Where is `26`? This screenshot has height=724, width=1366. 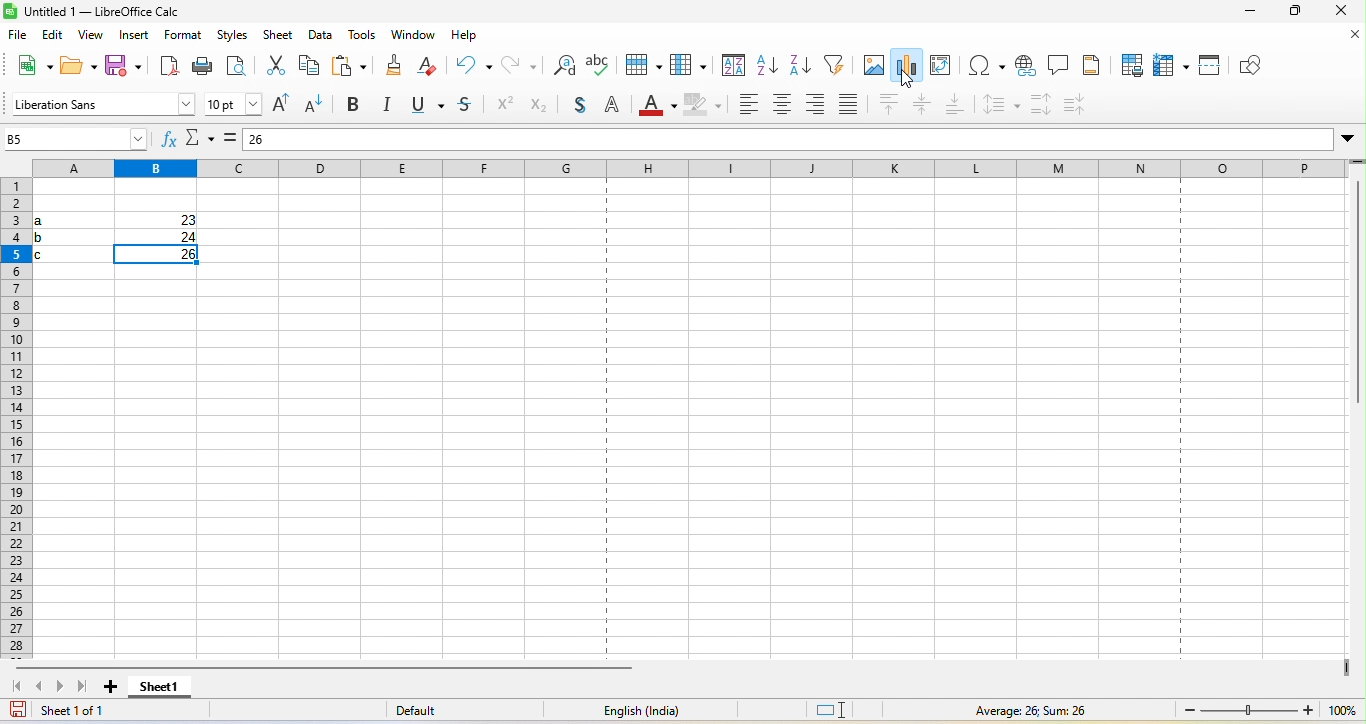 26 is located at coordinates (174, 255).